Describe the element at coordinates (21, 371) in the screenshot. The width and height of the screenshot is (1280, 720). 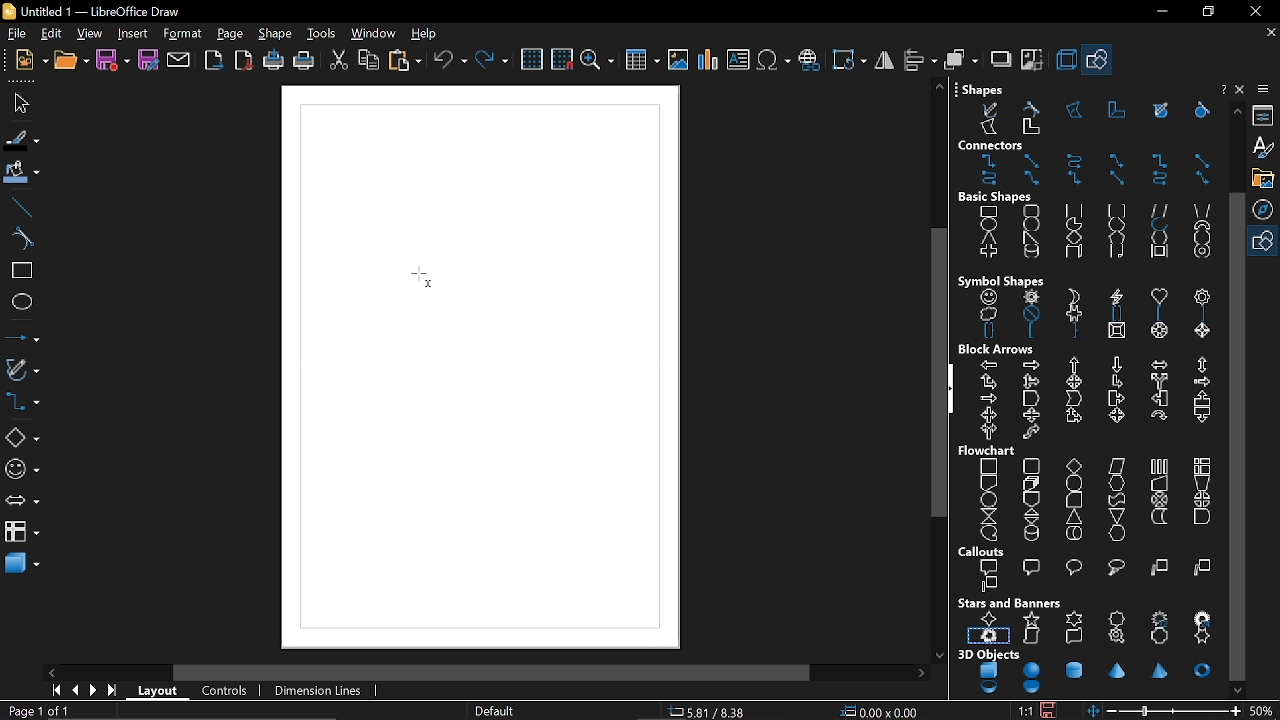
I see `curves and polygons` at that location.